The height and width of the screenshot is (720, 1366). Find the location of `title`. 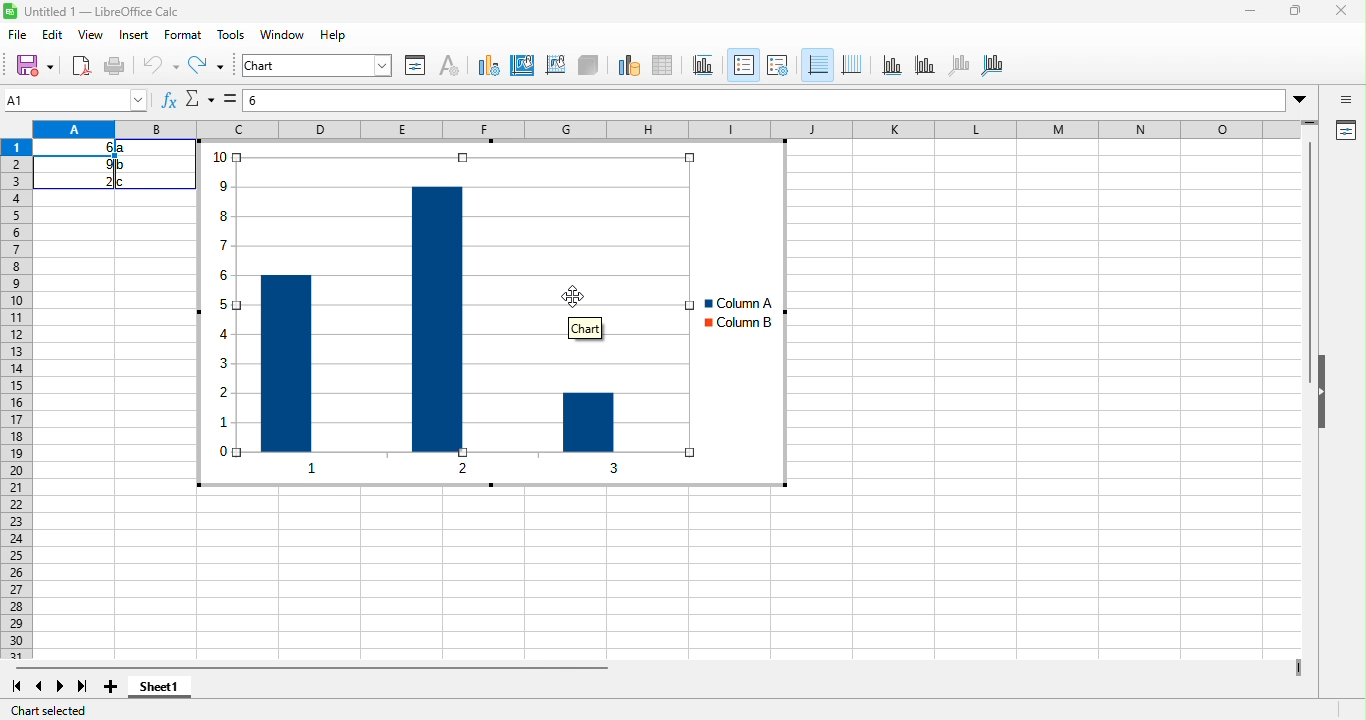

title is located at coordinates (94, 12).